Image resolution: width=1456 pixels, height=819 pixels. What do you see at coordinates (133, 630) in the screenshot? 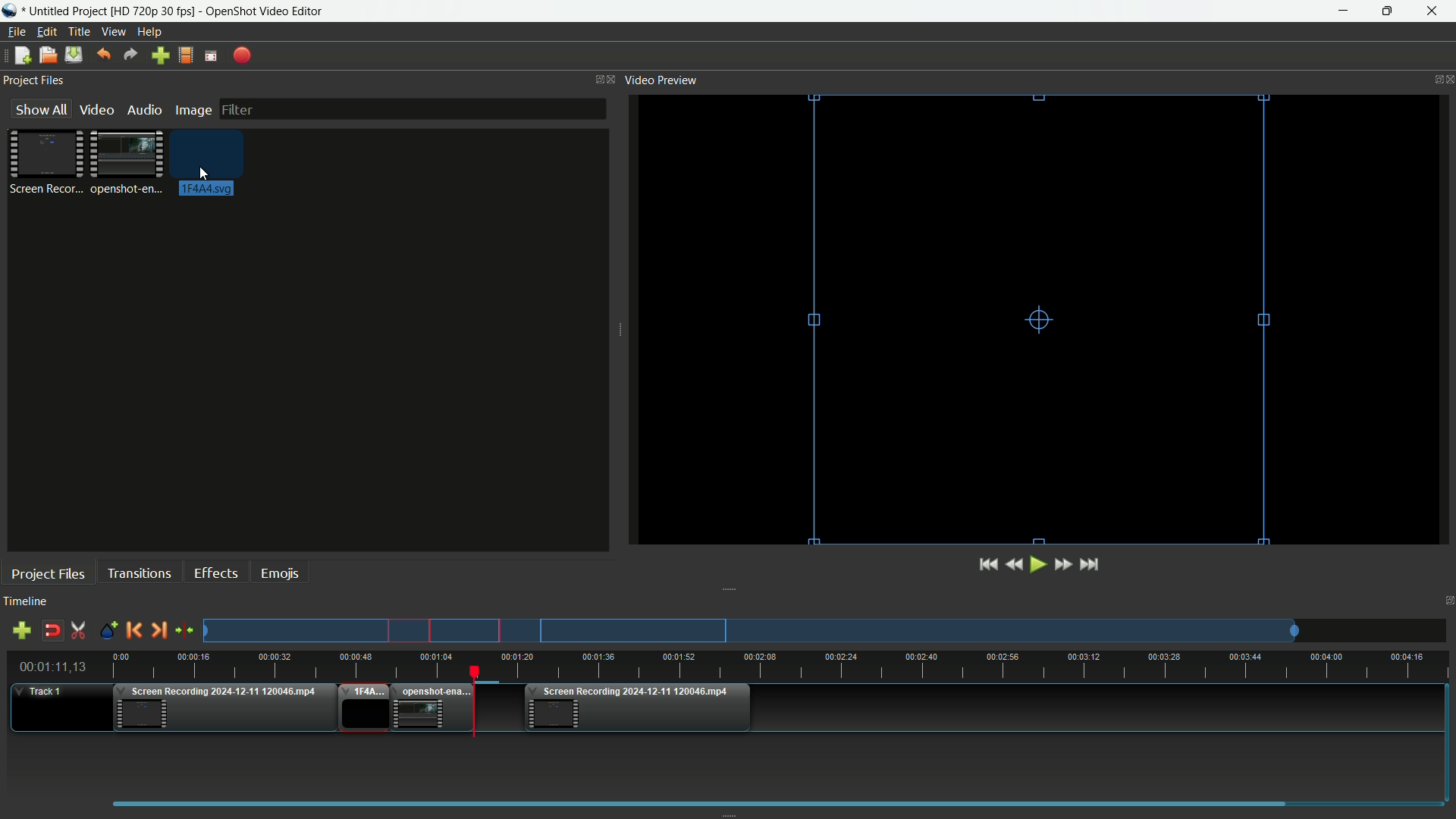
I see `Previous marker` at bounding box center [133, 630].